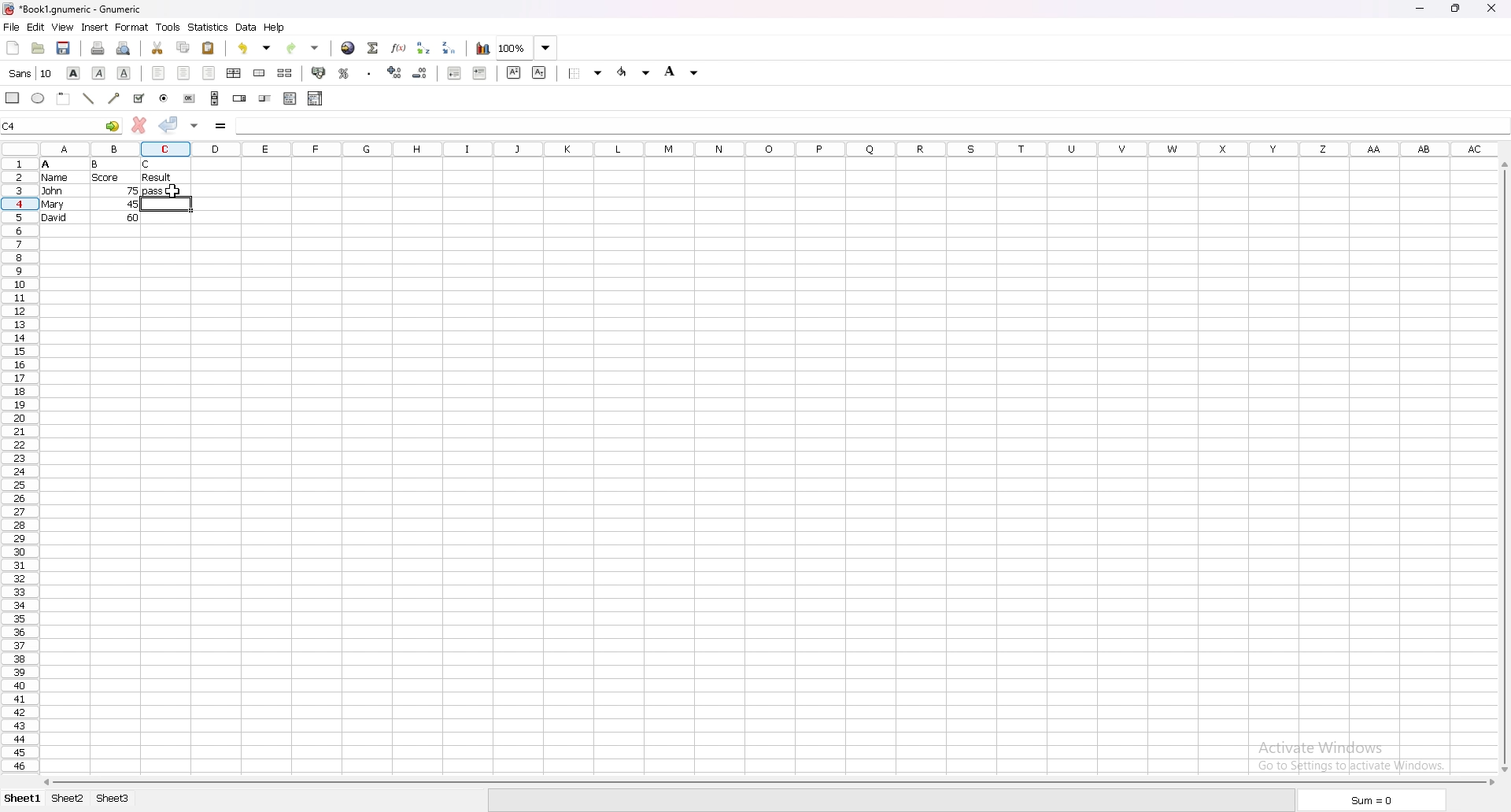  Describe the element at coordinates (348, 49) in the screenshot. I see `hyperlink` at that location.